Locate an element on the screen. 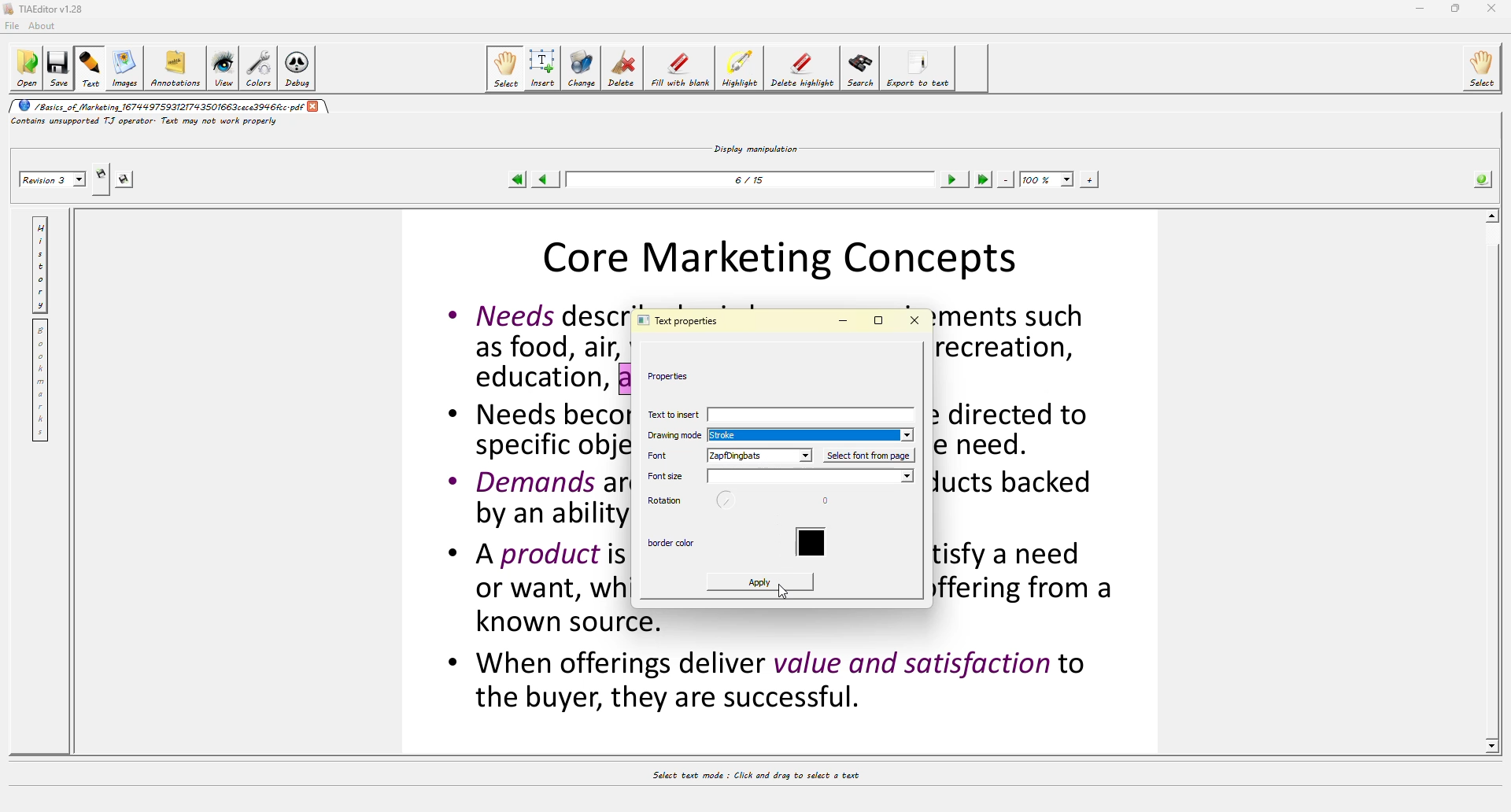  100% is located at coordinates (1046, 179).